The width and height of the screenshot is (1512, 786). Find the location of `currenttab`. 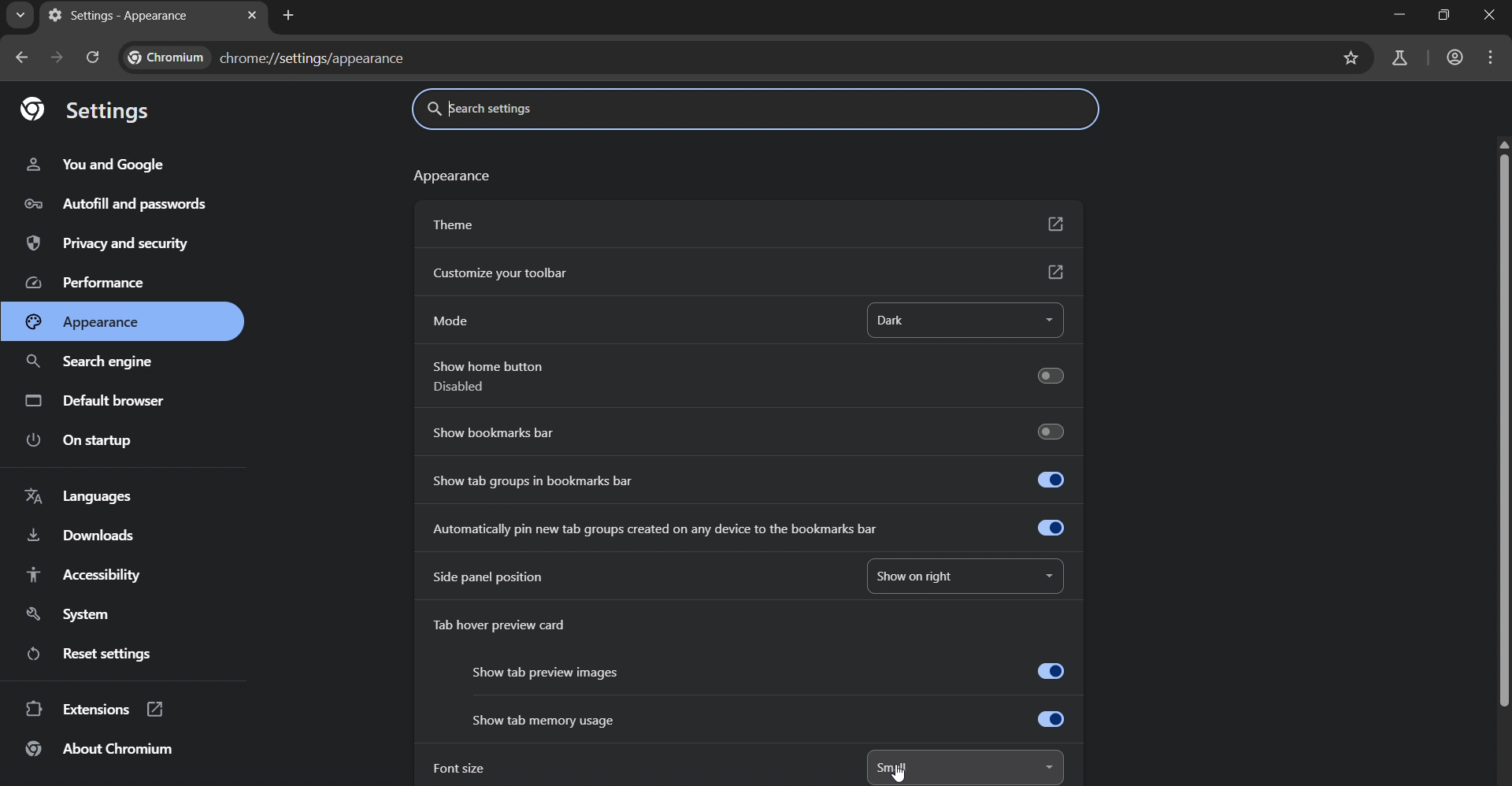

currenttab is located at coordinates (119, 15).